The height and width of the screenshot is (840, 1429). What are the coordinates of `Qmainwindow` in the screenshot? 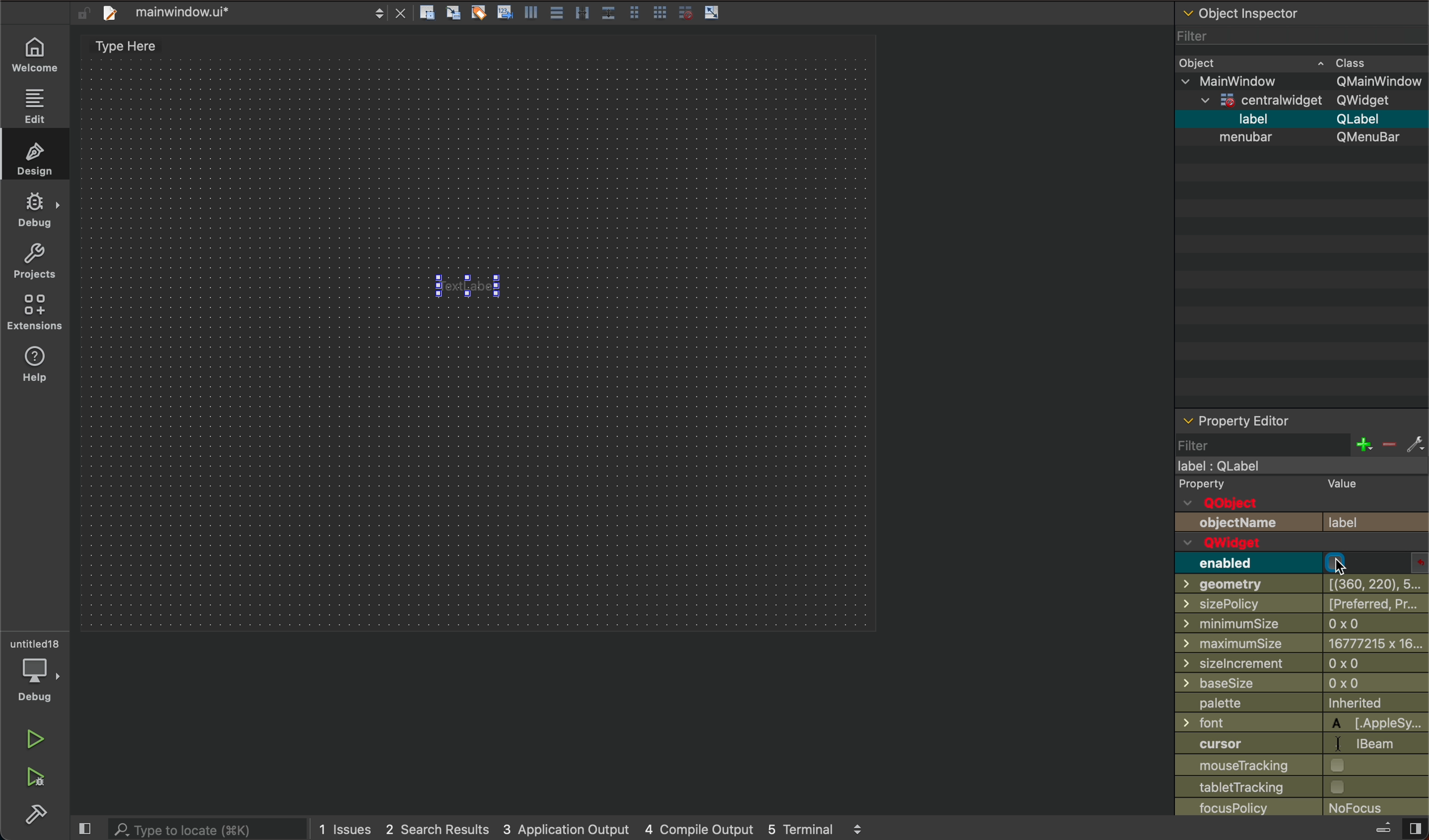 It's located at (1380, 80).